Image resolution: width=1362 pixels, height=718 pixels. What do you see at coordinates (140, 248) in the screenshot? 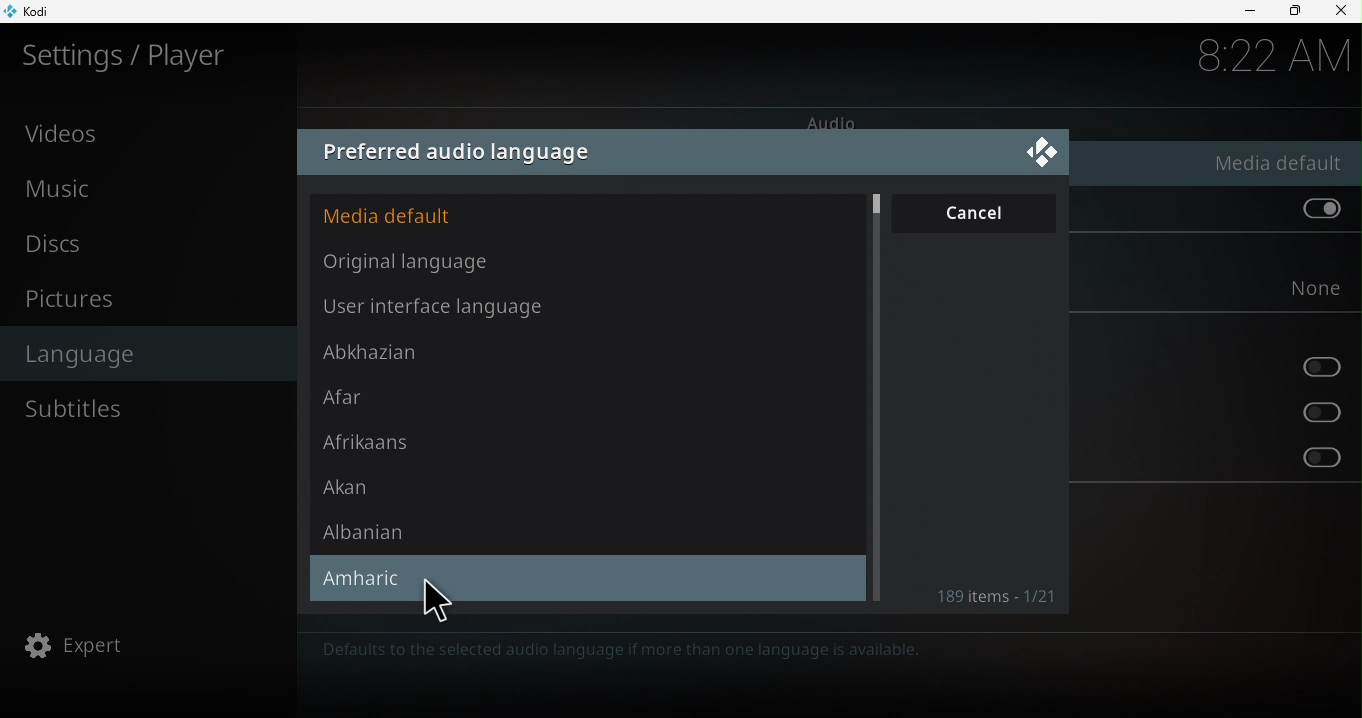
I see `Discs` at bounding box center [140, 248].